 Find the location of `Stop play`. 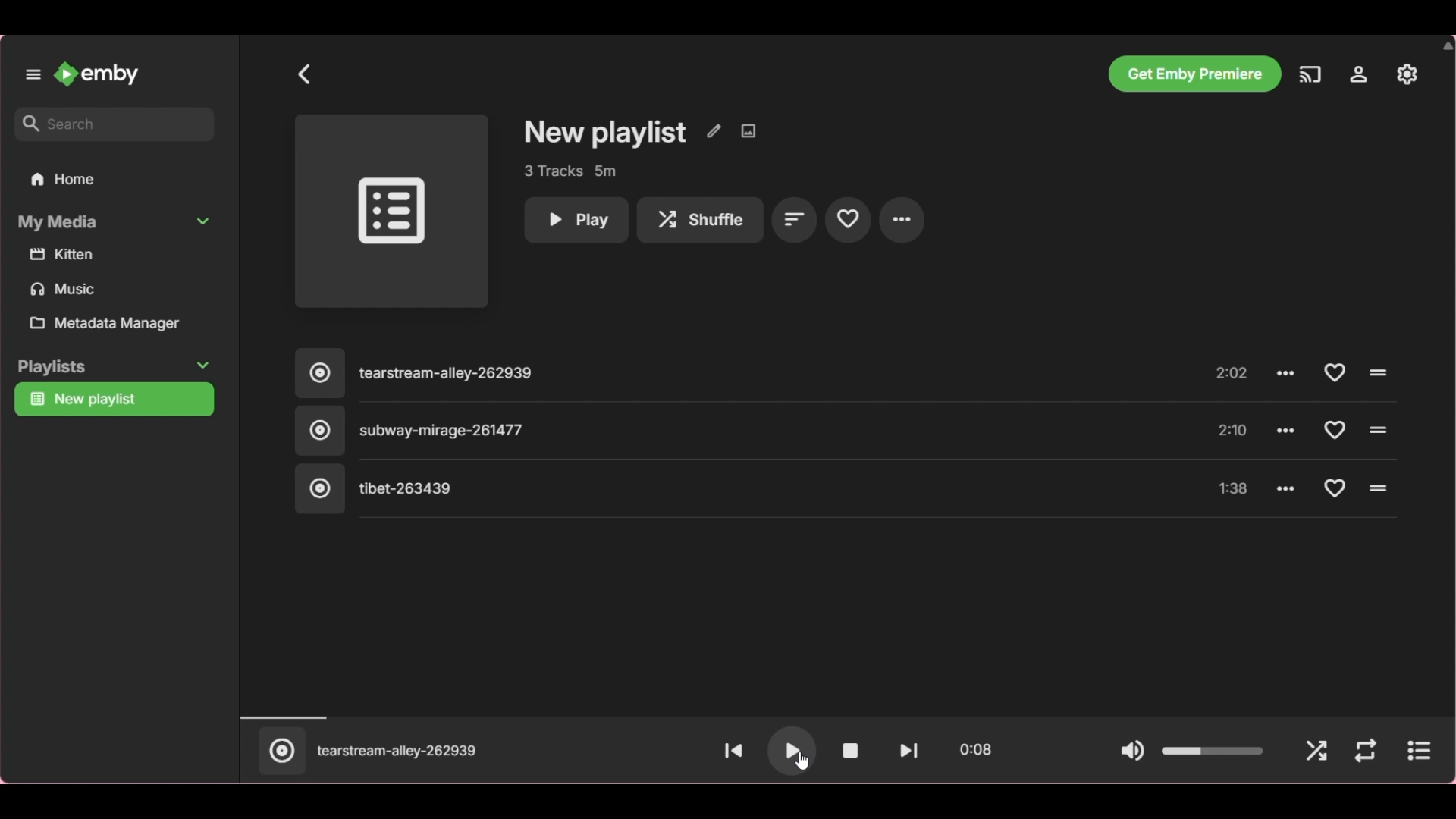

Stop play is located at coordinates (850, 751).